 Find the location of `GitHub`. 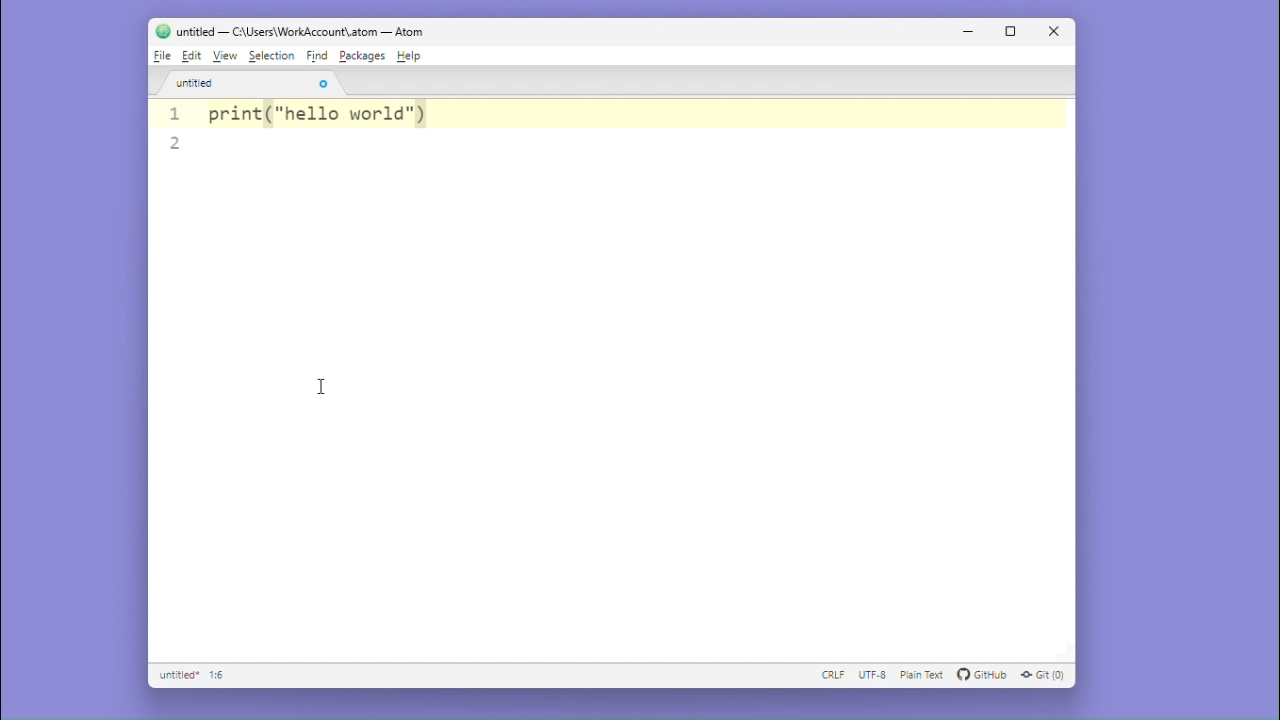

GitHub is located at coordinates (983, 677).